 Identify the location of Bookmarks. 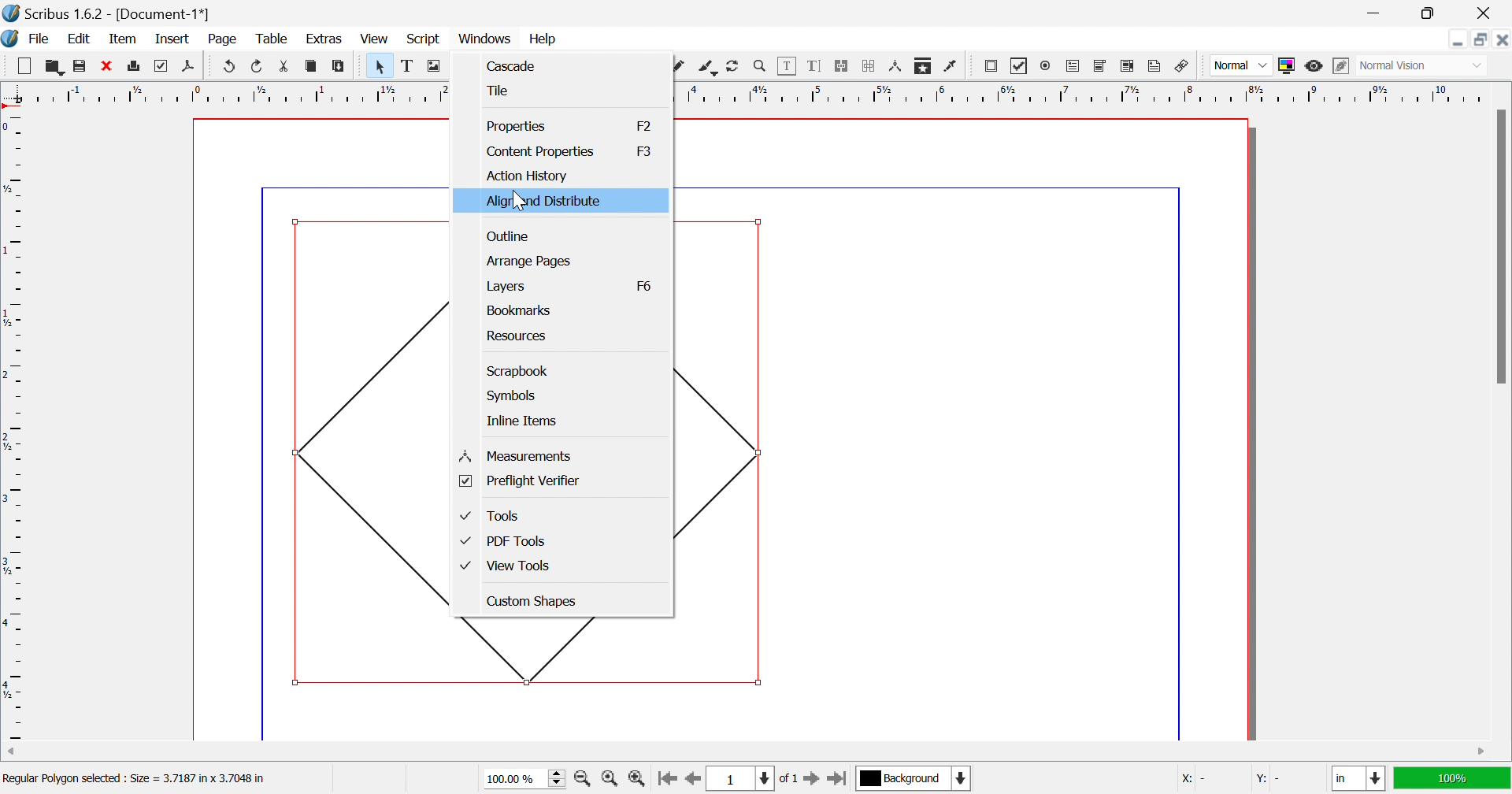
(523, 311).